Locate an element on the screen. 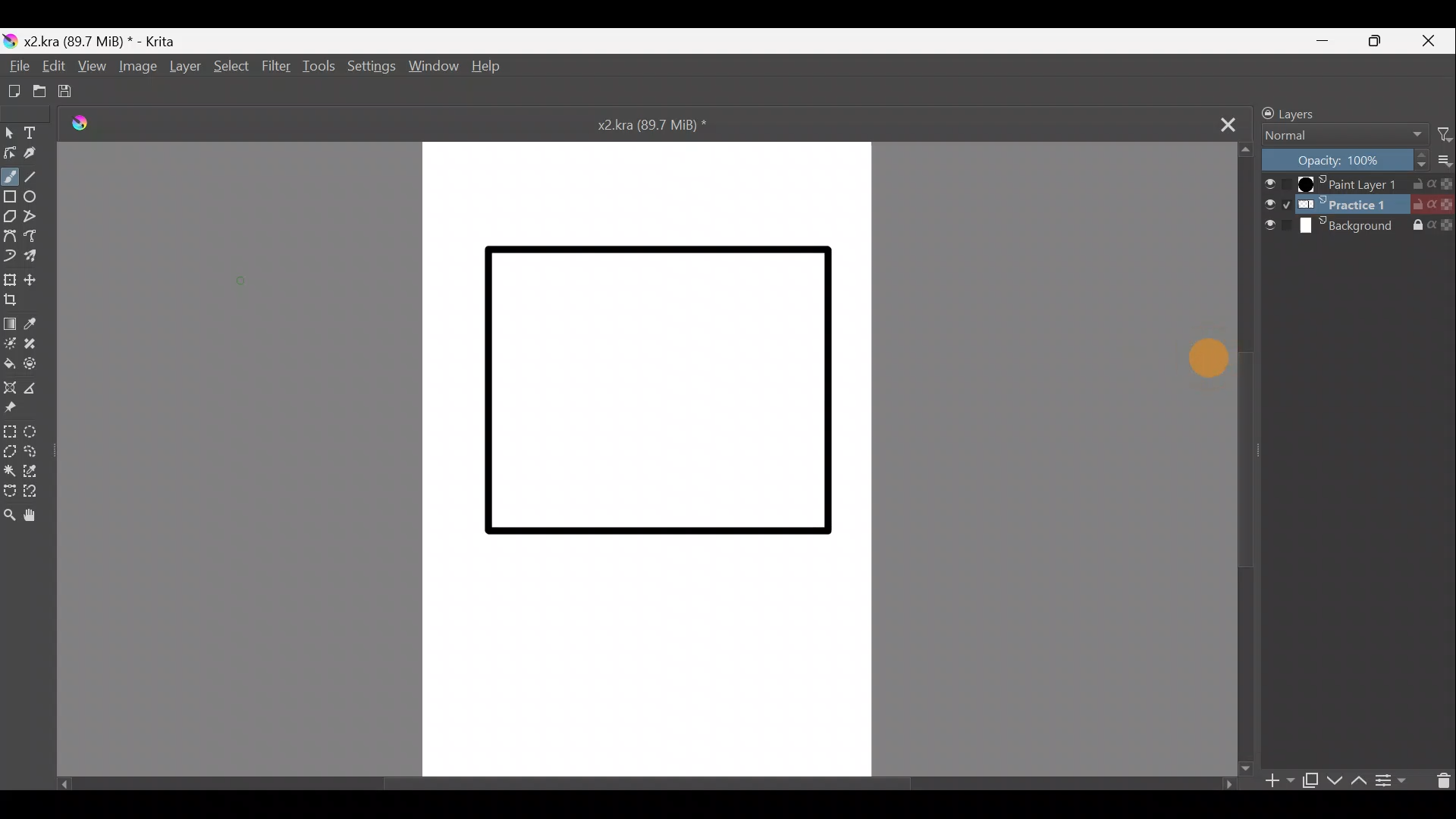 Image resolution: width=1456 pixels, height=819 pixels. Paint Layer 1 is located at coordinates (1355, 184).